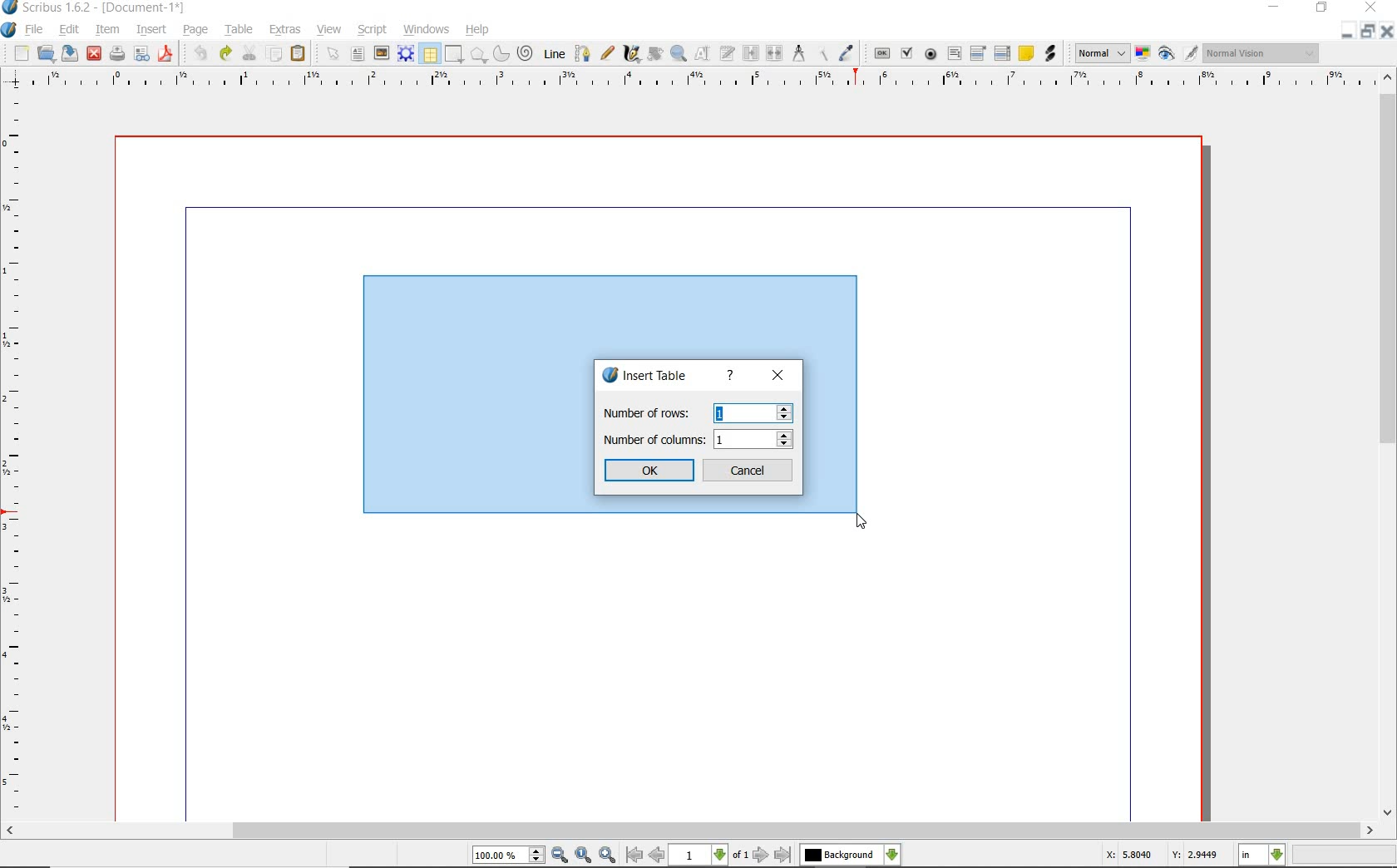 The height and width of the screenshot is (868, 1397). What do you see at coordinates (678, 54) in the screenshot?
I see `zoom in or out` at bounding box center [678, 54].